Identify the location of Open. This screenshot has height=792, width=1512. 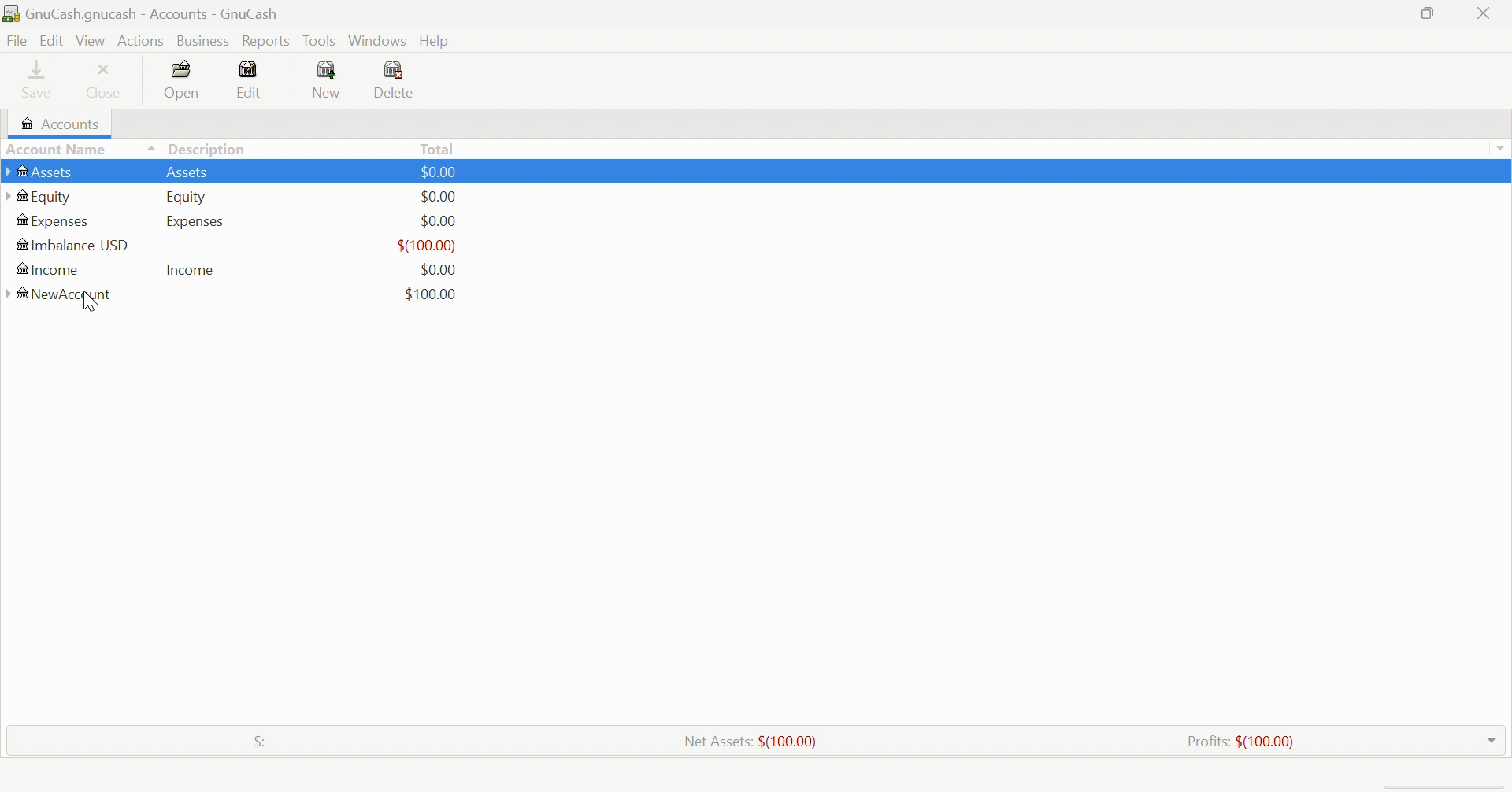
(187, 83).